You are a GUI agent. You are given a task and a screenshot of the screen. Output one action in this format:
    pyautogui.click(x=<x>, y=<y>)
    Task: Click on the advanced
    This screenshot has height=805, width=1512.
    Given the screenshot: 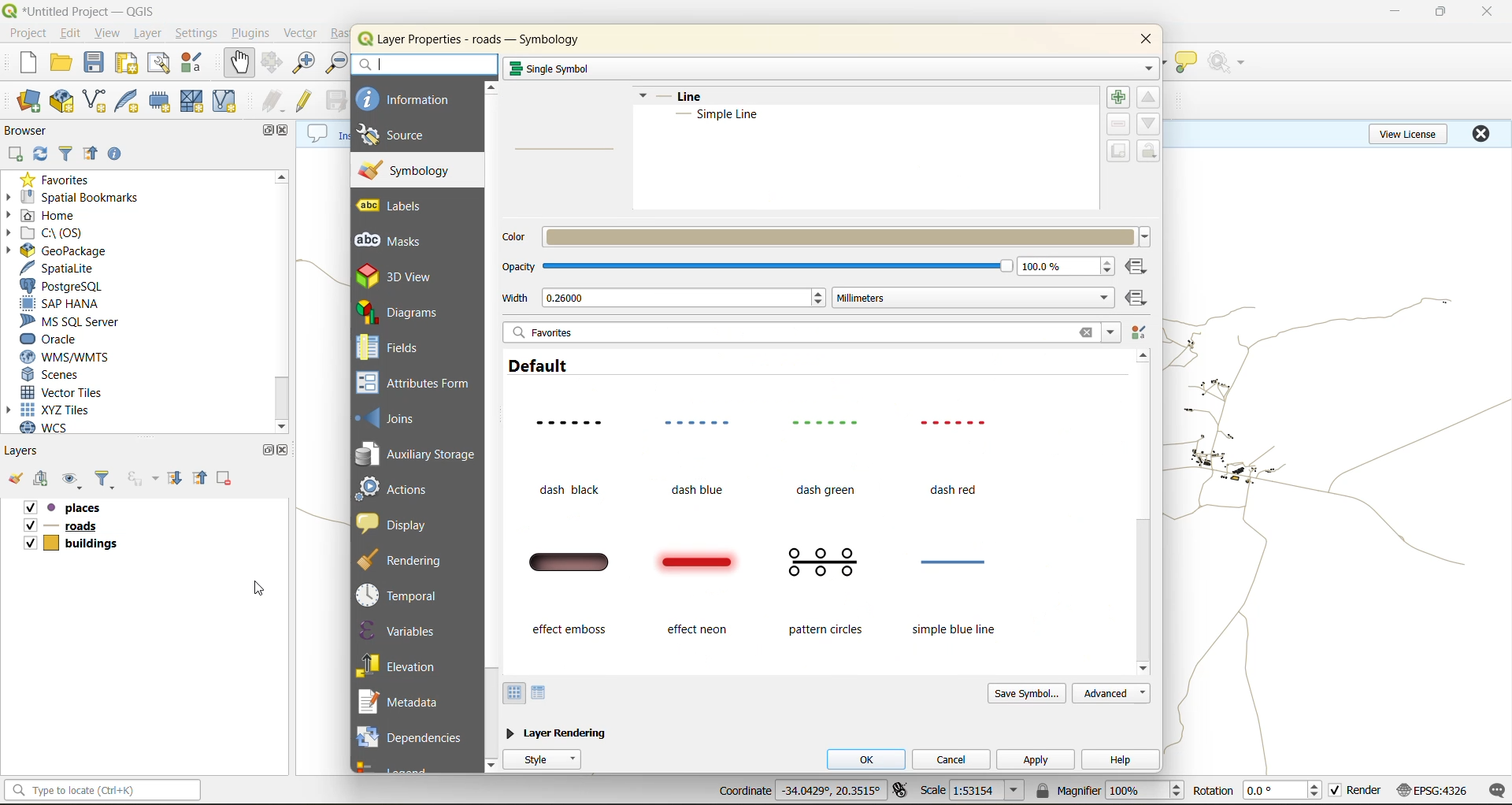 What is the action you would take?
    pyautogui.click(x=1113, y=693)
    